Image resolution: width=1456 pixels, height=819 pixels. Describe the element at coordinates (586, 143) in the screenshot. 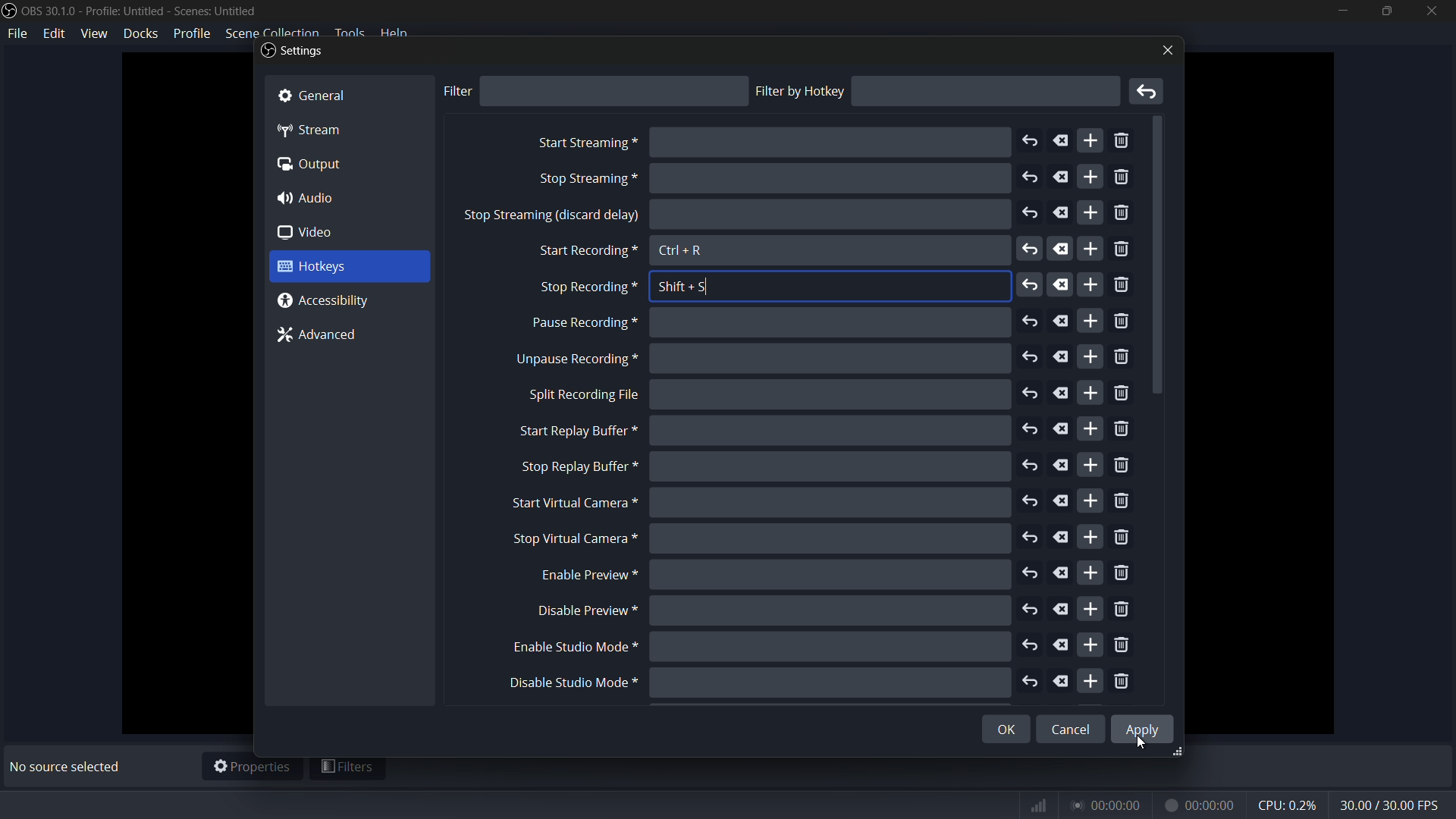

I see `start streaming` at that location.